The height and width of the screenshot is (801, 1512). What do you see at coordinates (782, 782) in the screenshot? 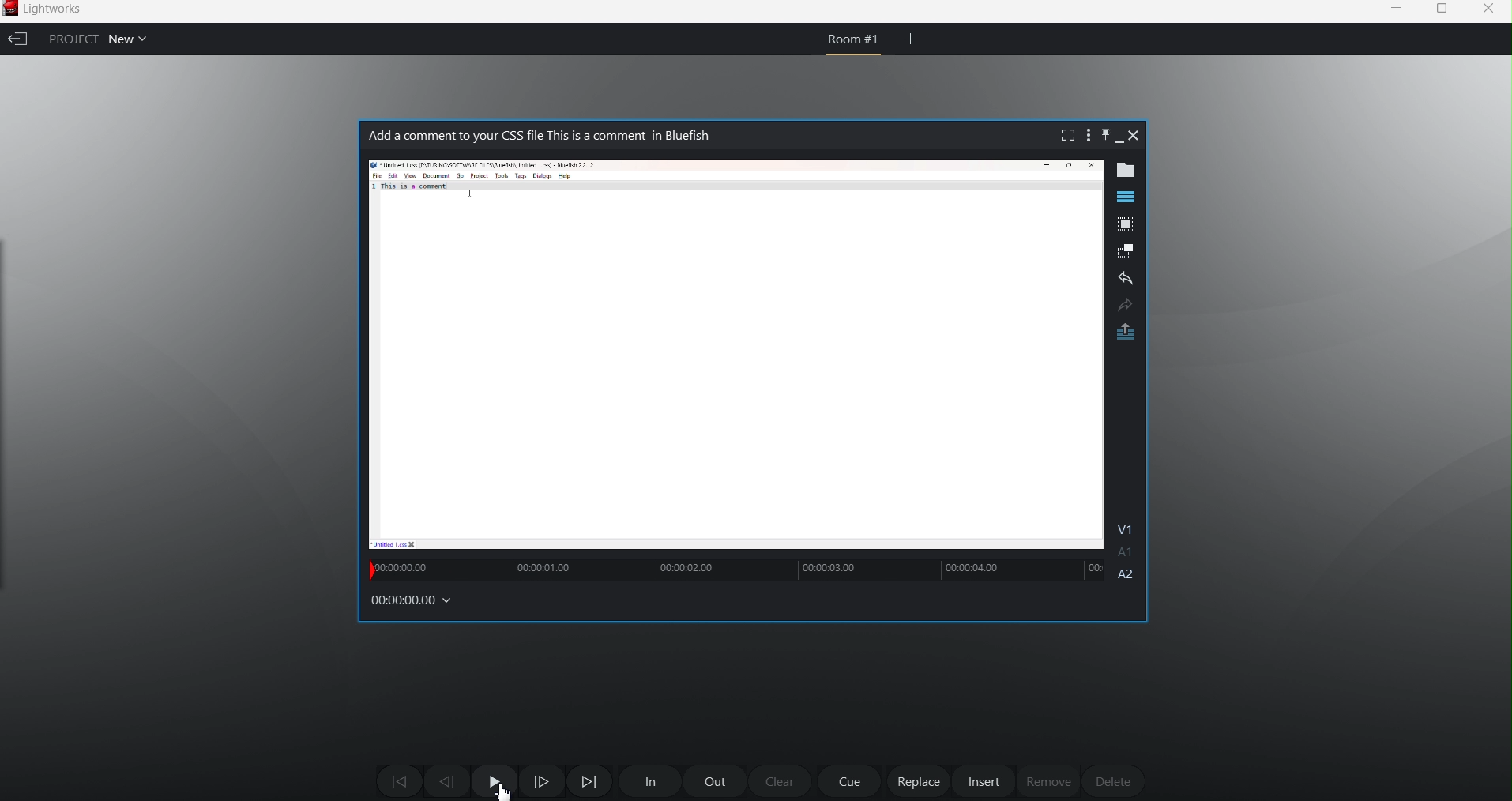
I see `clear` at bounding box center [782, 782].